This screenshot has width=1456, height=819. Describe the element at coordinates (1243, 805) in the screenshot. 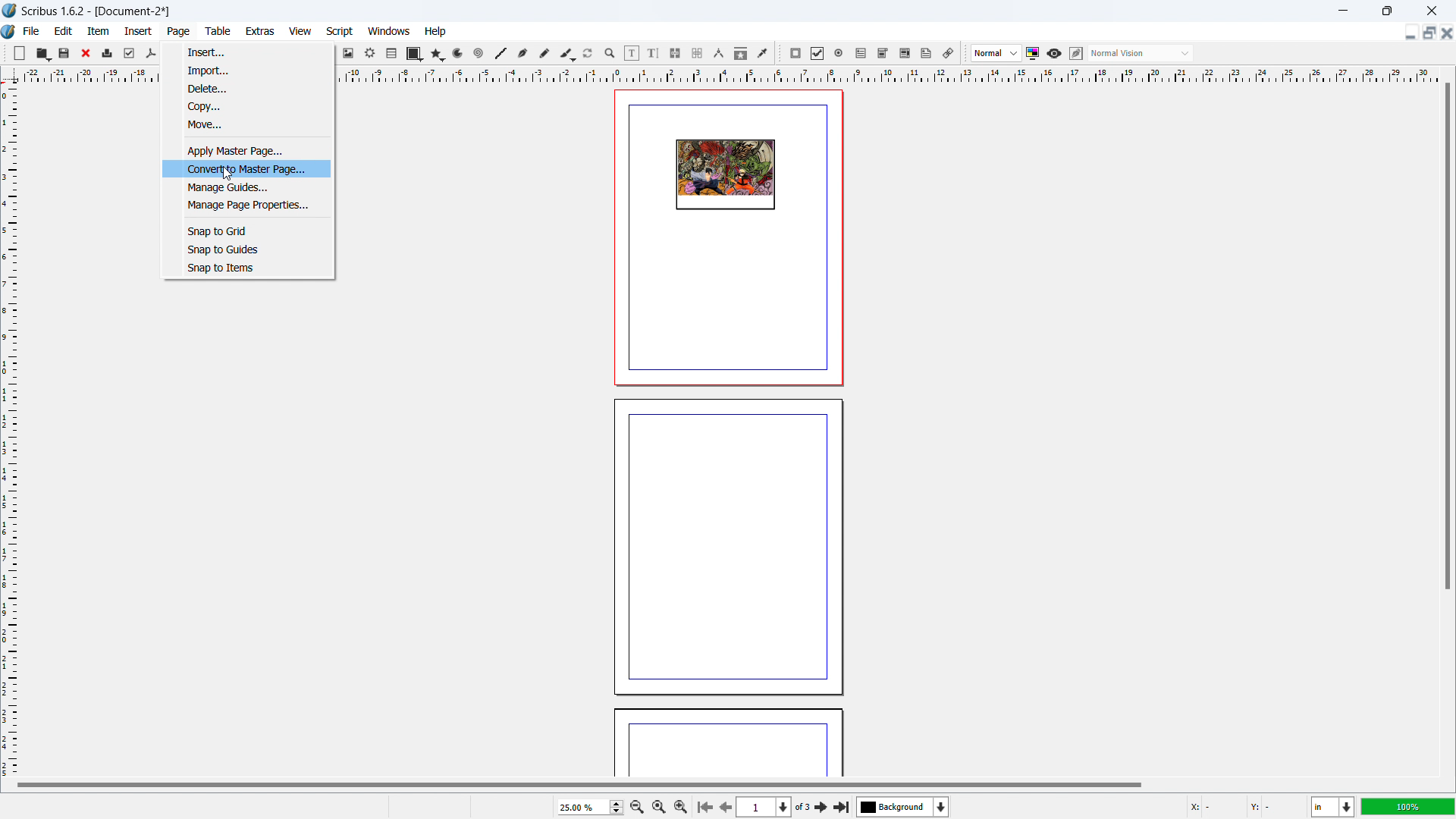

I see `cursor coordinate` at that location.